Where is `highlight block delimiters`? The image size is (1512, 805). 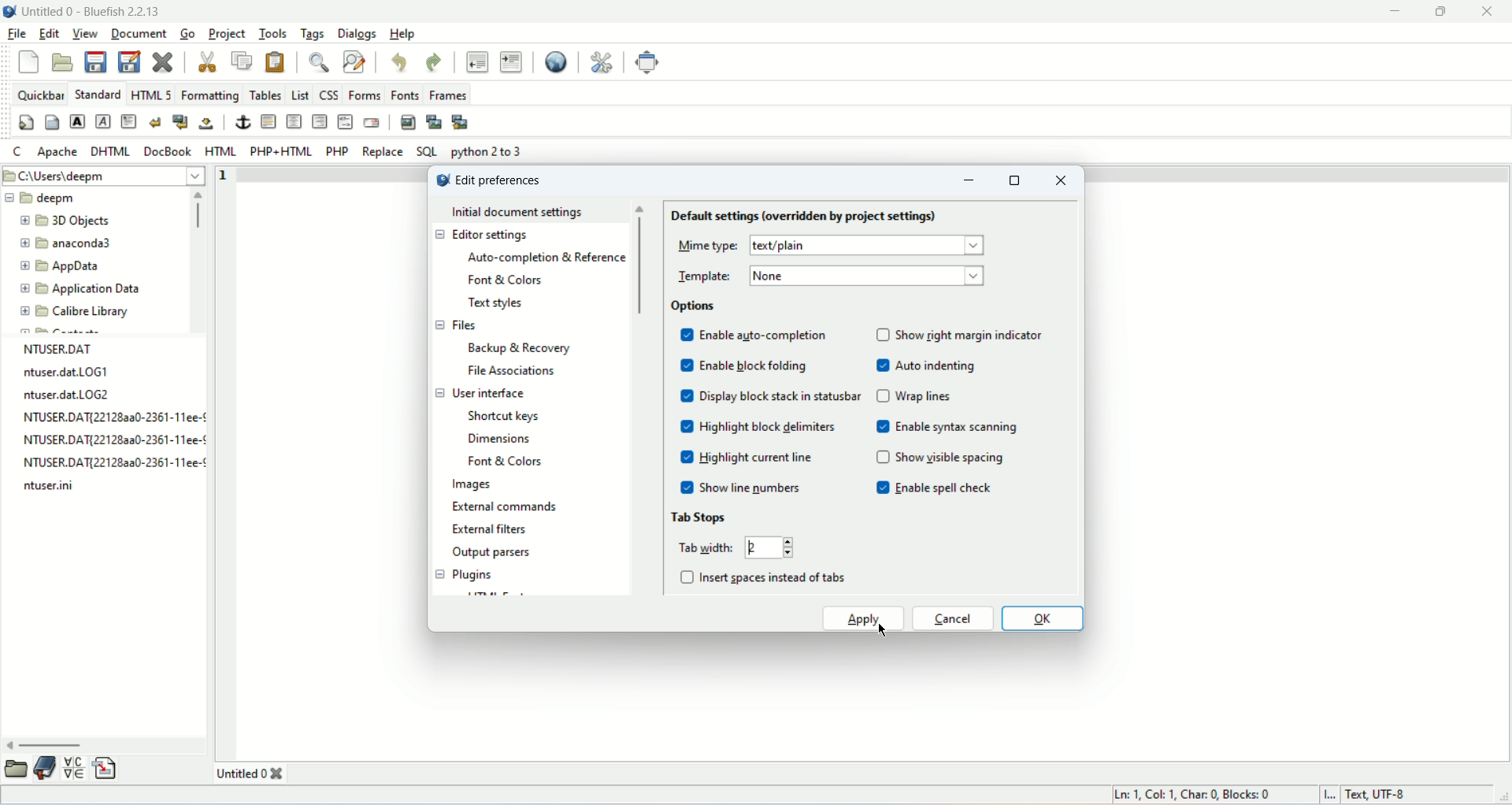 highlight block delimiters is located at coordinates (769, 428).